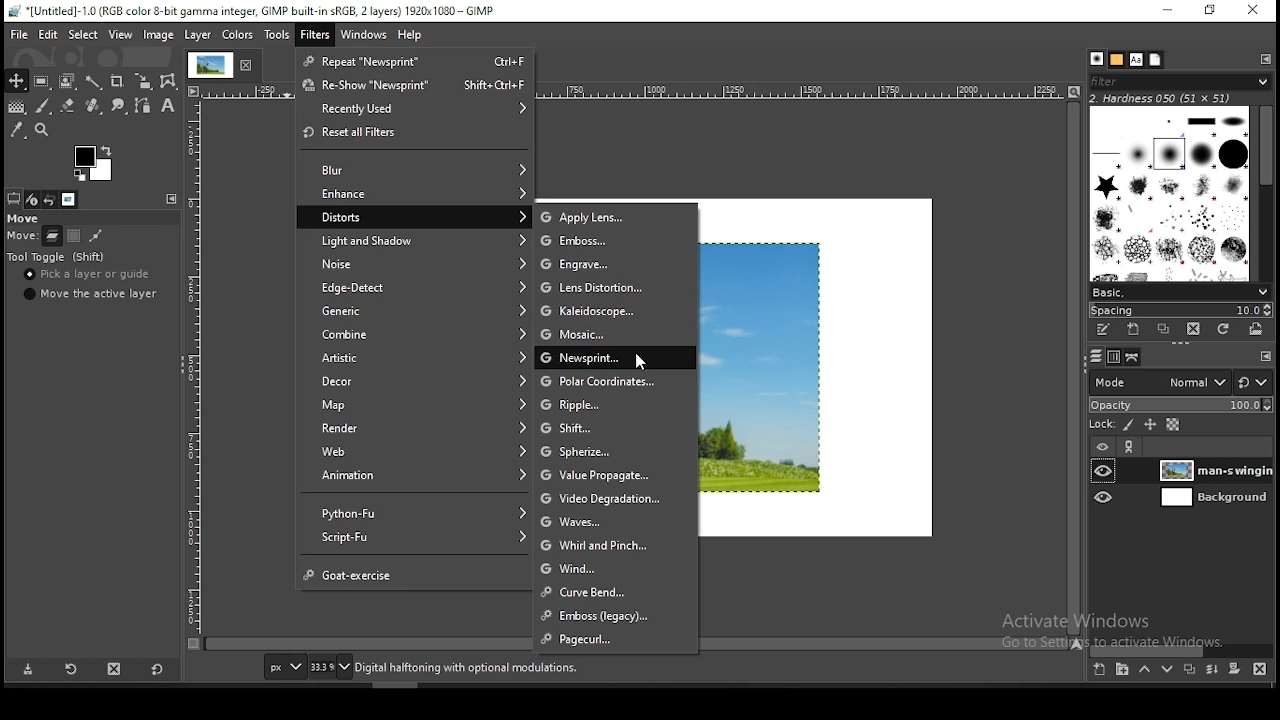 The width and height of the screenshot is (1280, 720). I want to click on combine, so click(413, 334).